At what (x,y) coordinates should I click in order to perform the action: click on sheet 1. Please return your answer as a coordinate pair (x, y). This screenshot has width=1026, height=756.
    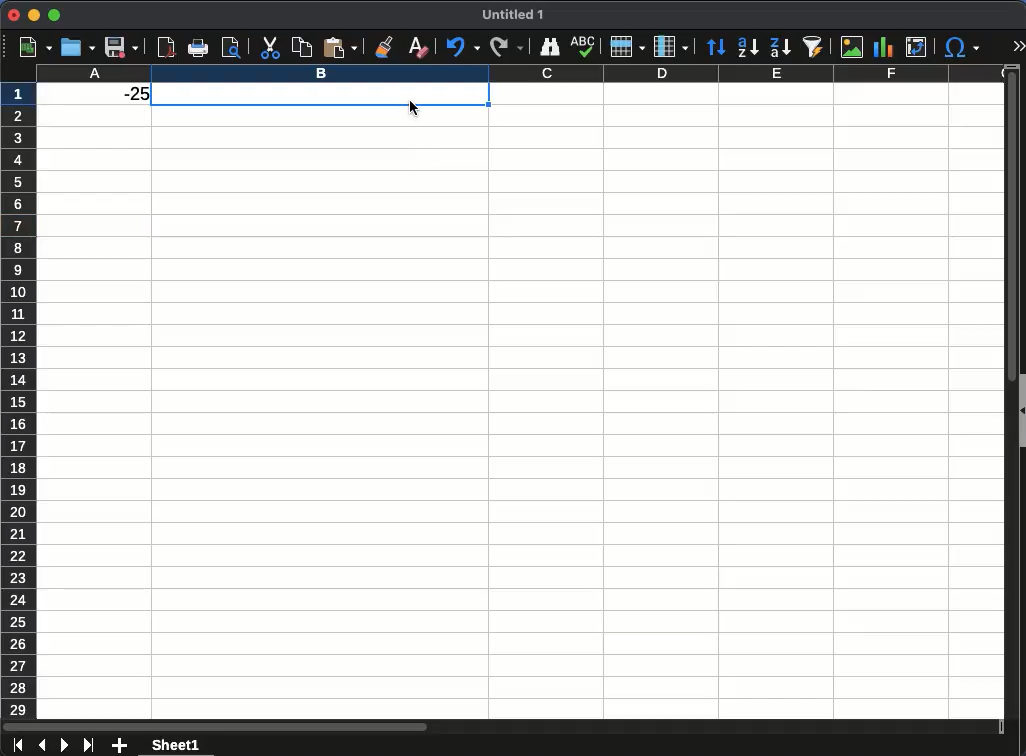
    Looking at the image, I should click on (174, 744).